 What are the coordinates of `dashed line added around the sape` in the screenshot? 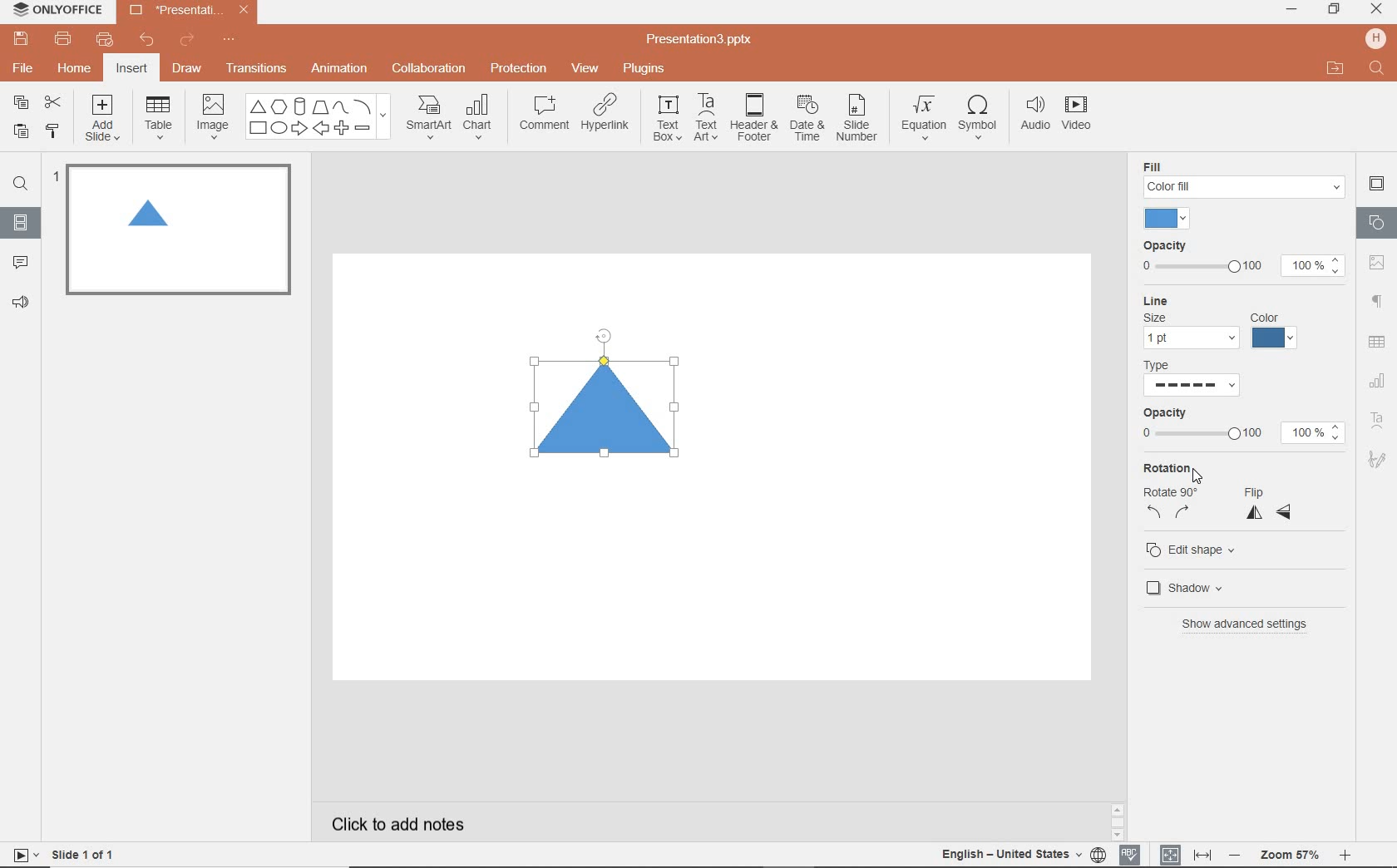 It's located at (148, 216).